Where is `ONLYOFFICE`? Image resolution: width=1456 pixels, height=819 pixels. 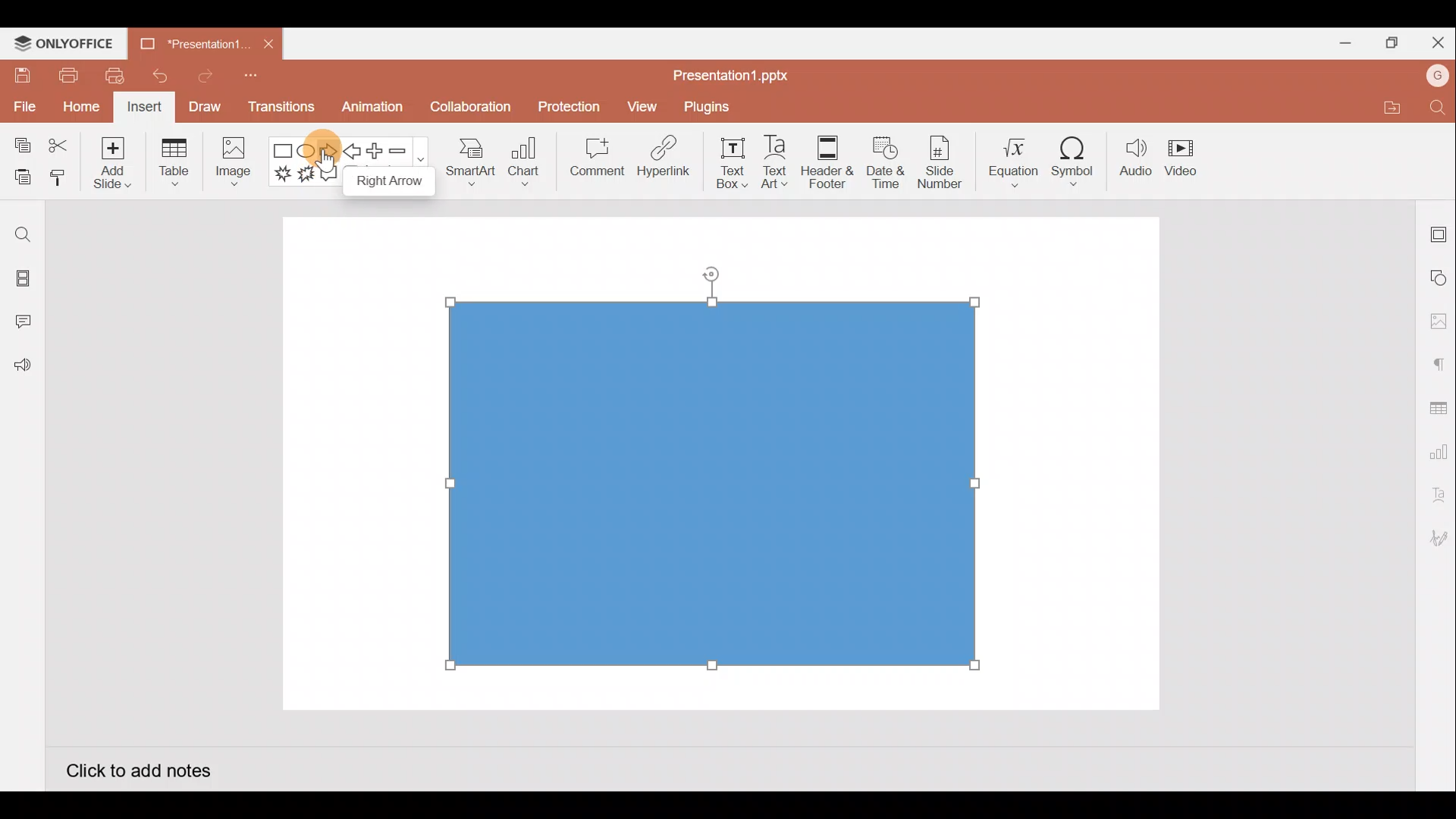
ONLYOFFICE is located at coordinates (64, 43).